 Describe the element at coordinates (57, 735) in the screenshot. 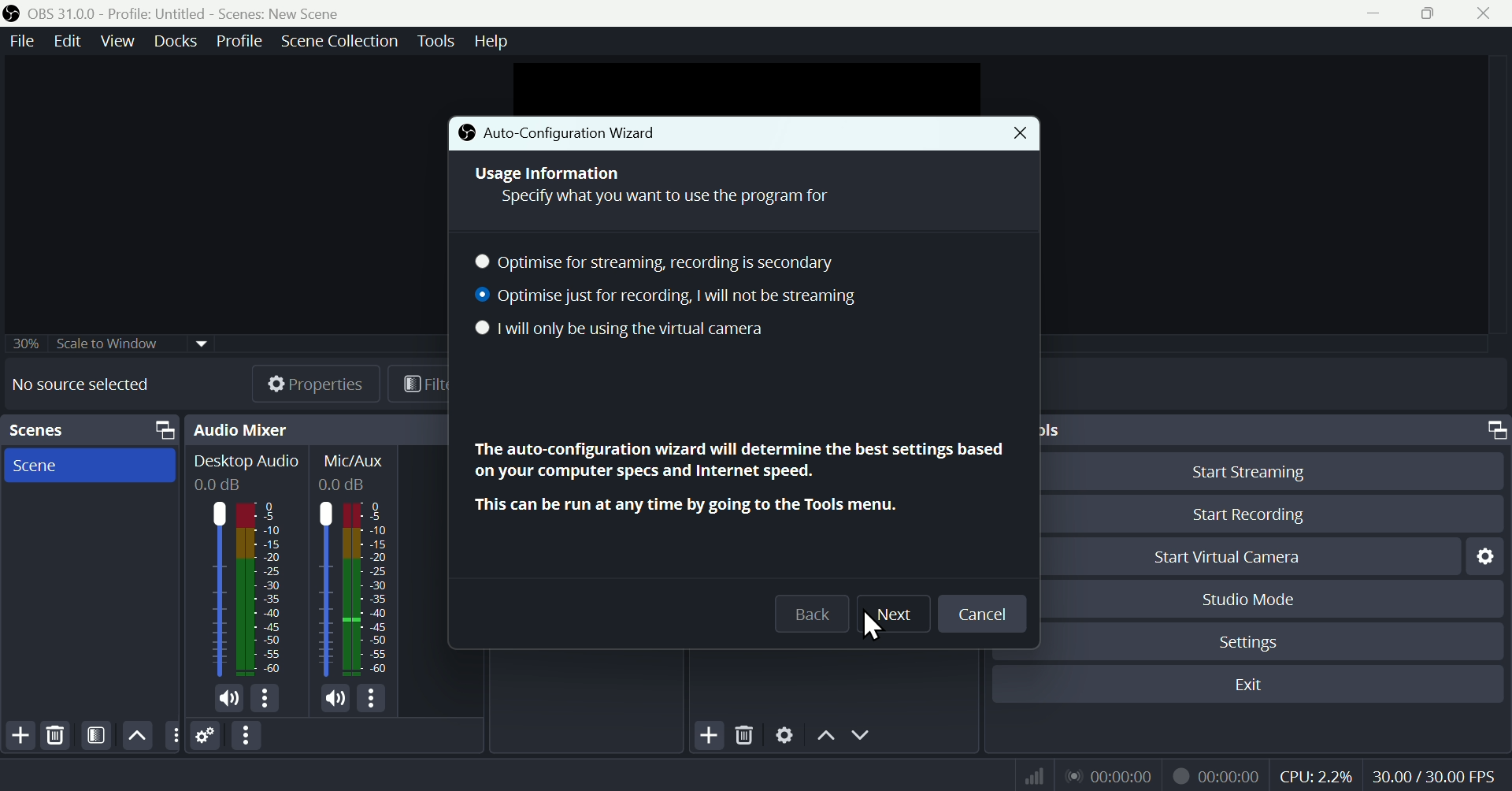

I see `Delete` at that location.